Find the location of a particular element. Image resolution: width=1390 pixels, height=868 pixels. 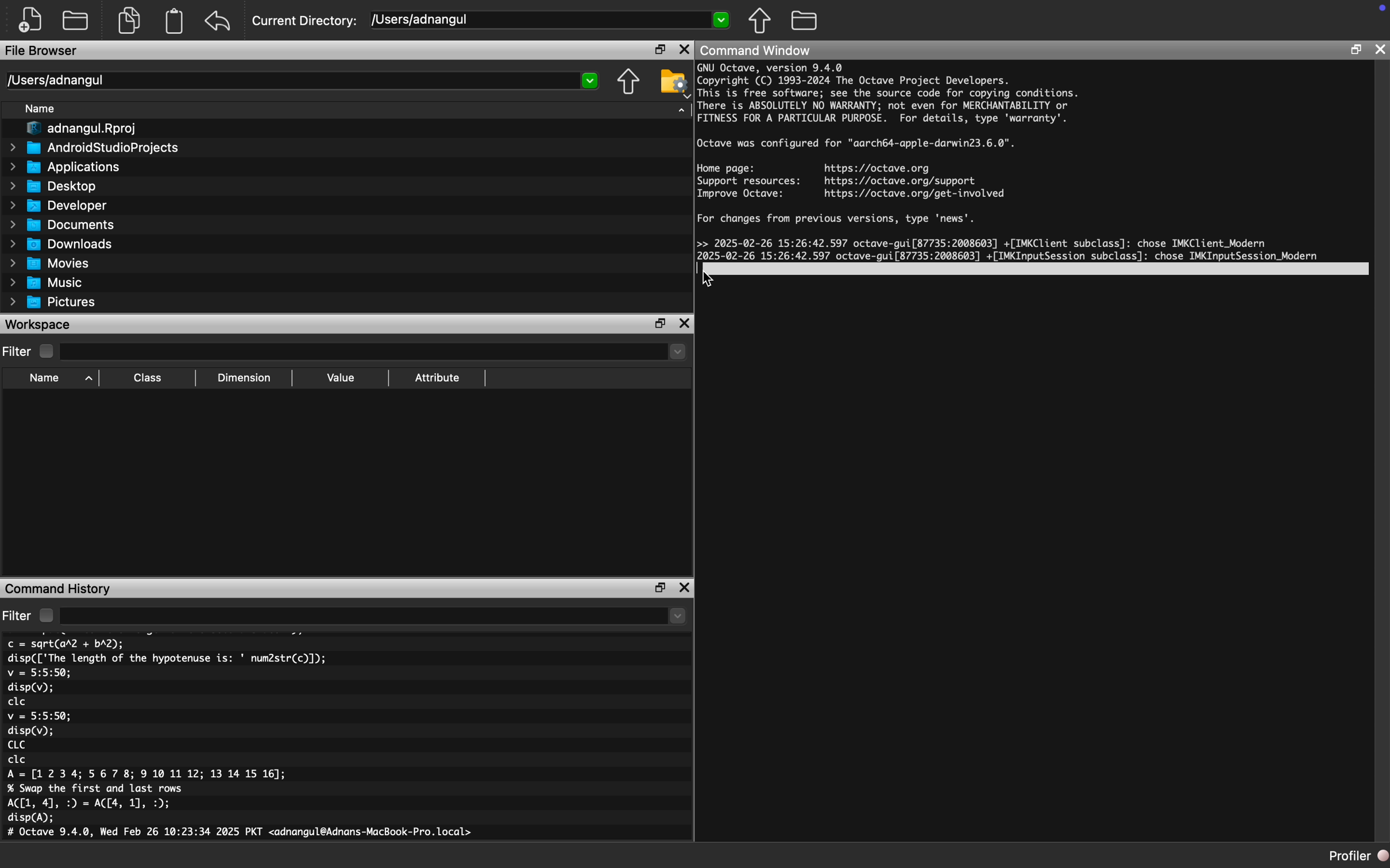

disp(v); is located at coordinates (31, 731).